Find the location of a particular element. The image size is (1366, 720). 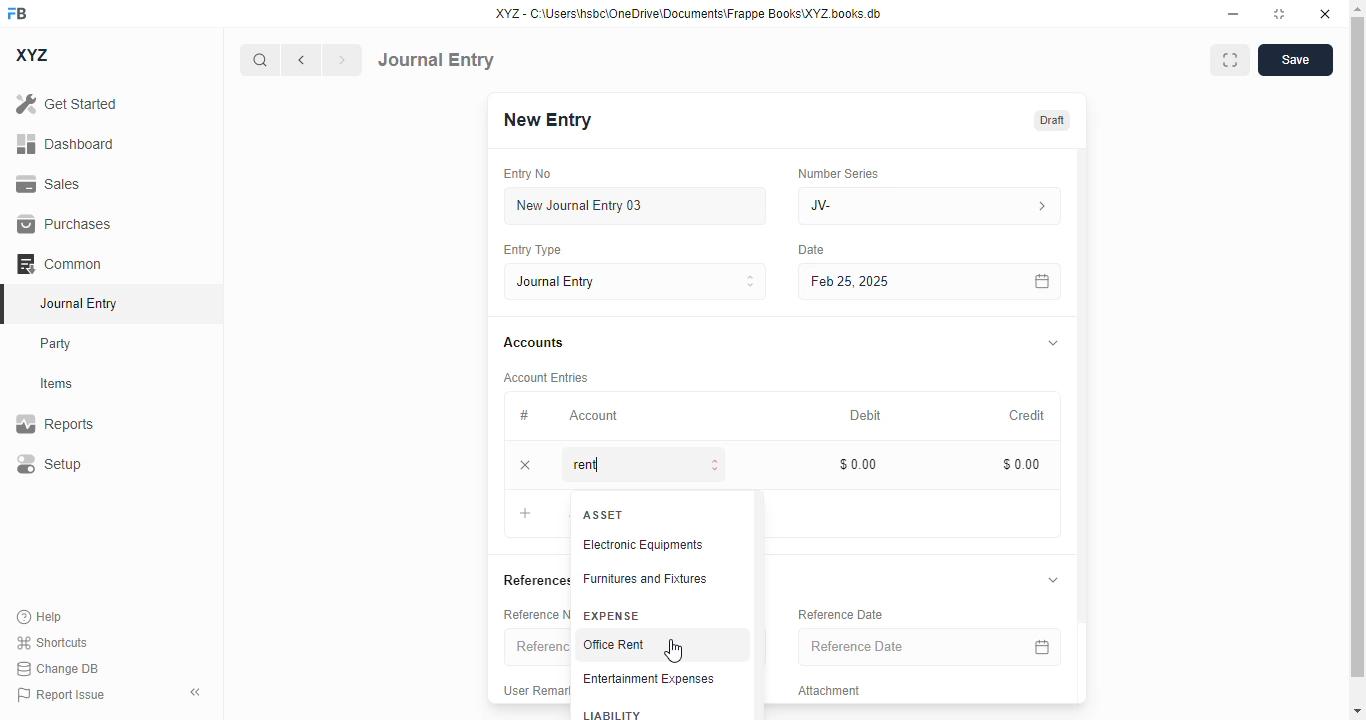

add is located at coordinates (526, 512).